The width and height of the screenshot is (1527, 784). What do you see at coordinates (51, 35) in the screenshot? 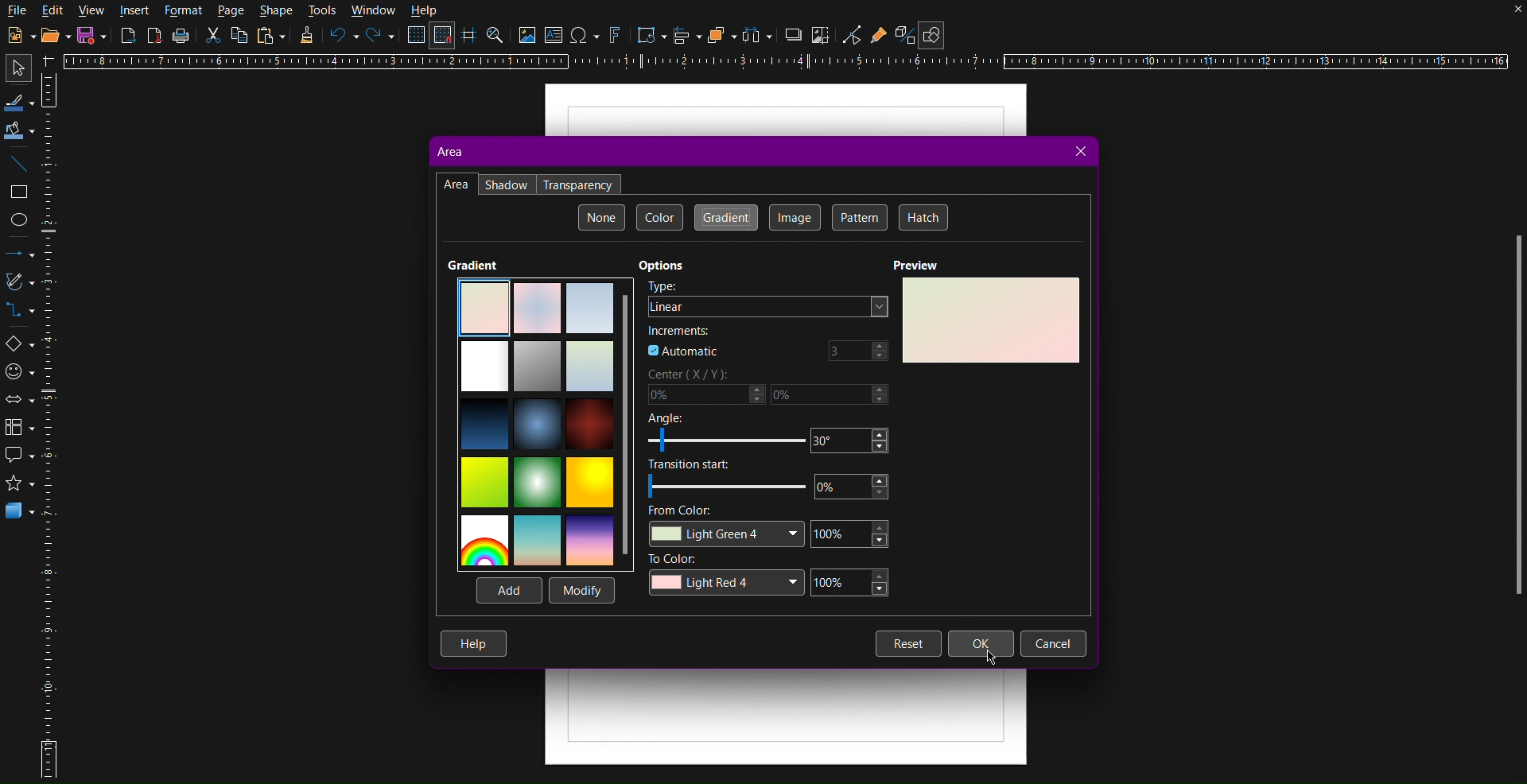
I see `Open` at bounding box center [51, 35].